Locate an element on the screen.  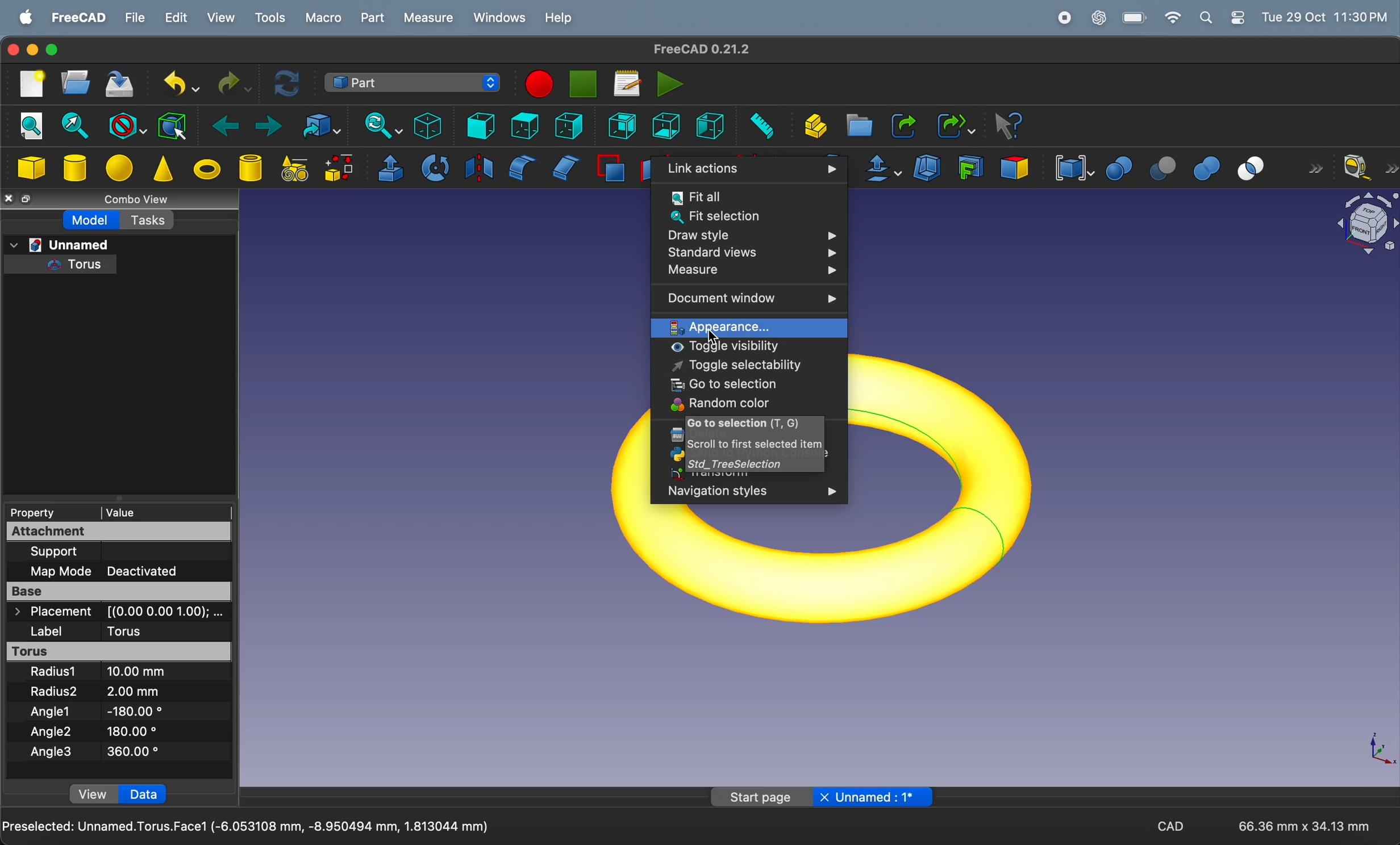
Preselected Unamed is located at coordinates (248, 827).